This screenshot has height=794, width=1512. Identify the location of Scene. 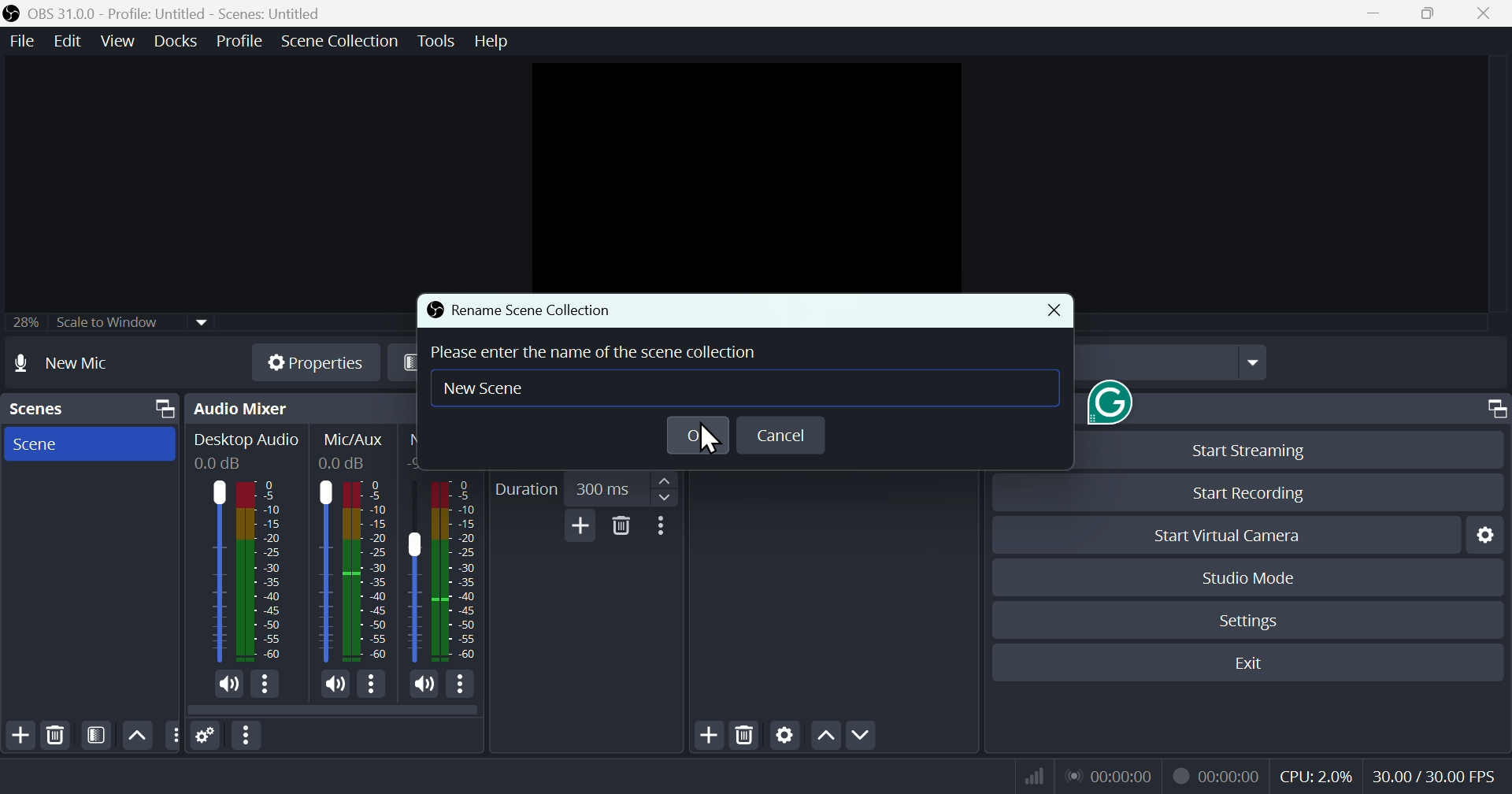
(91, 445).